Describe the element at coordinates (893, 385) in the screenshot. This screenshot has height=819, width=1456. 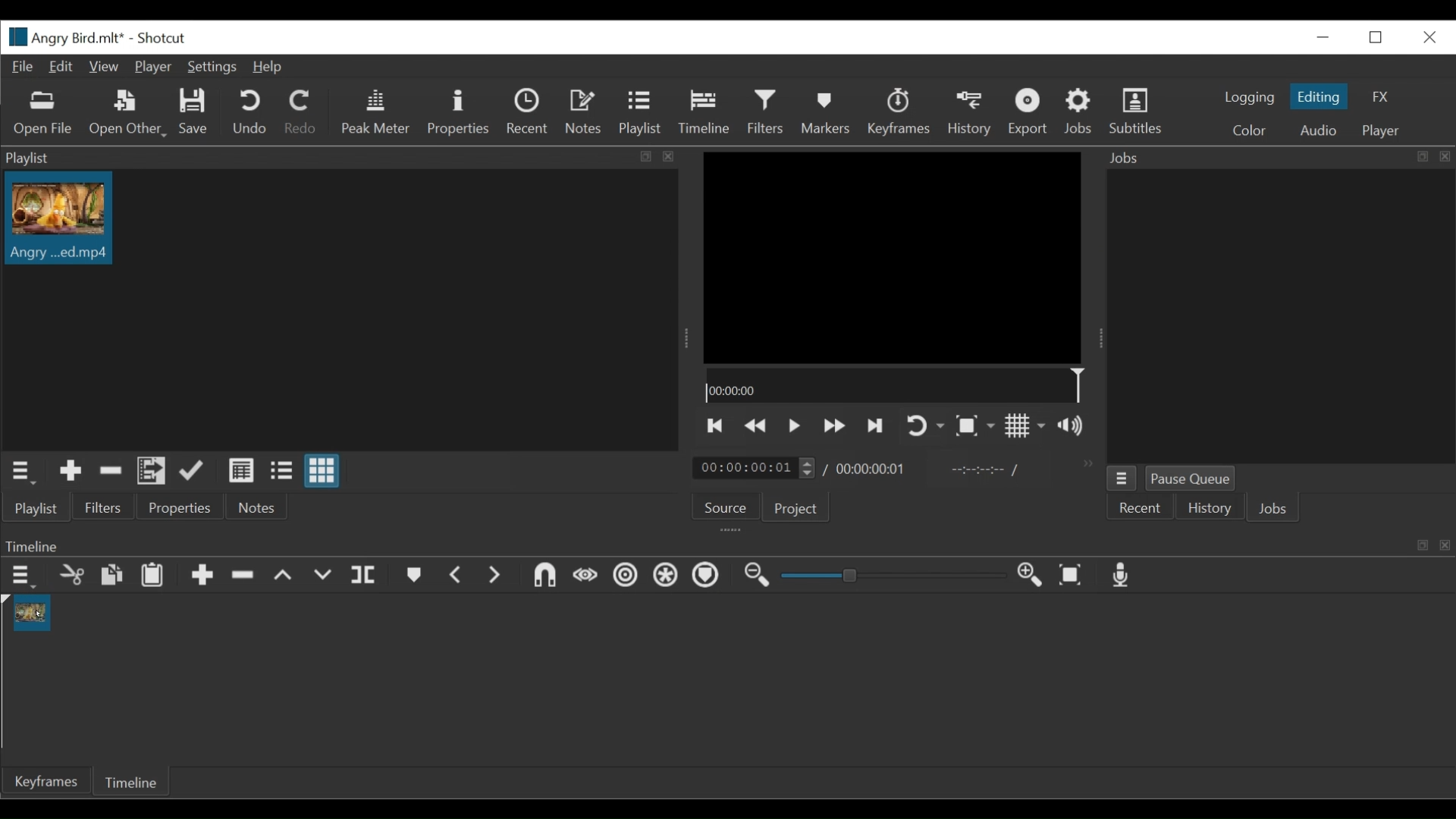
I see `Timeline` at that location.